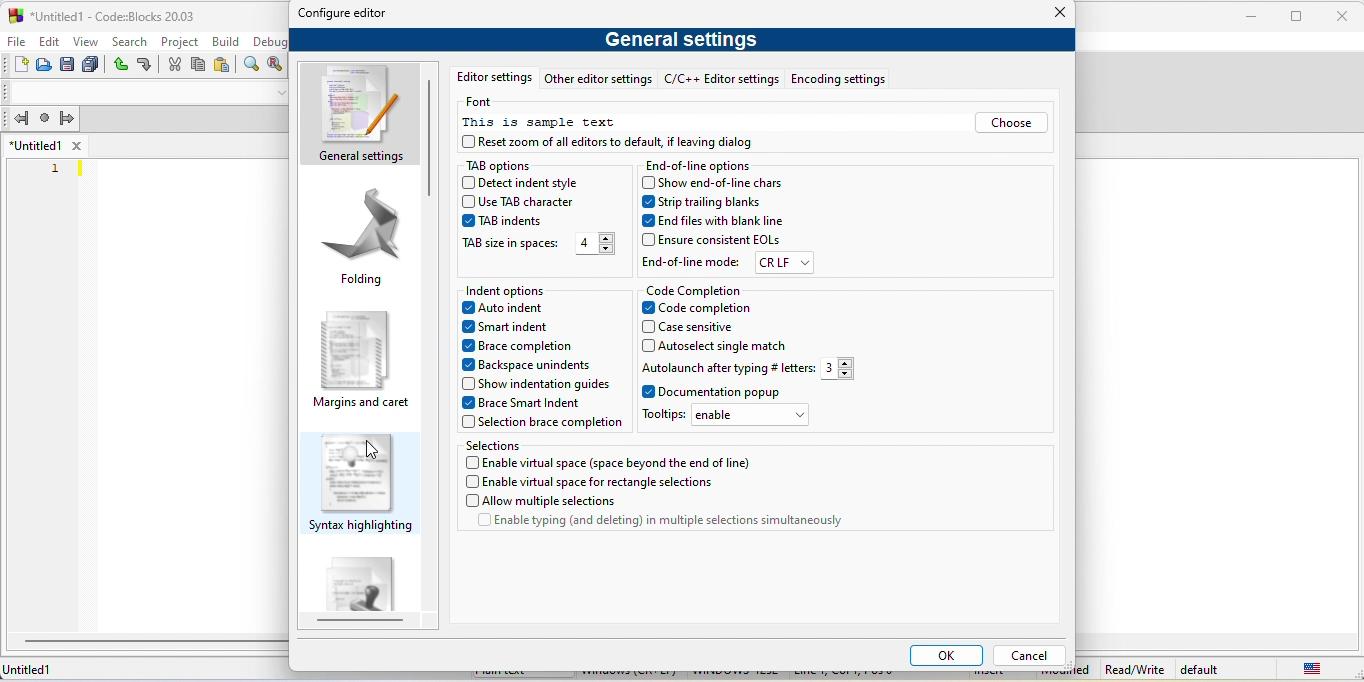  What do you see at coordinates (544, 122) in the screenshot?
I see `this is sample text` at bounding box center [544, 122].